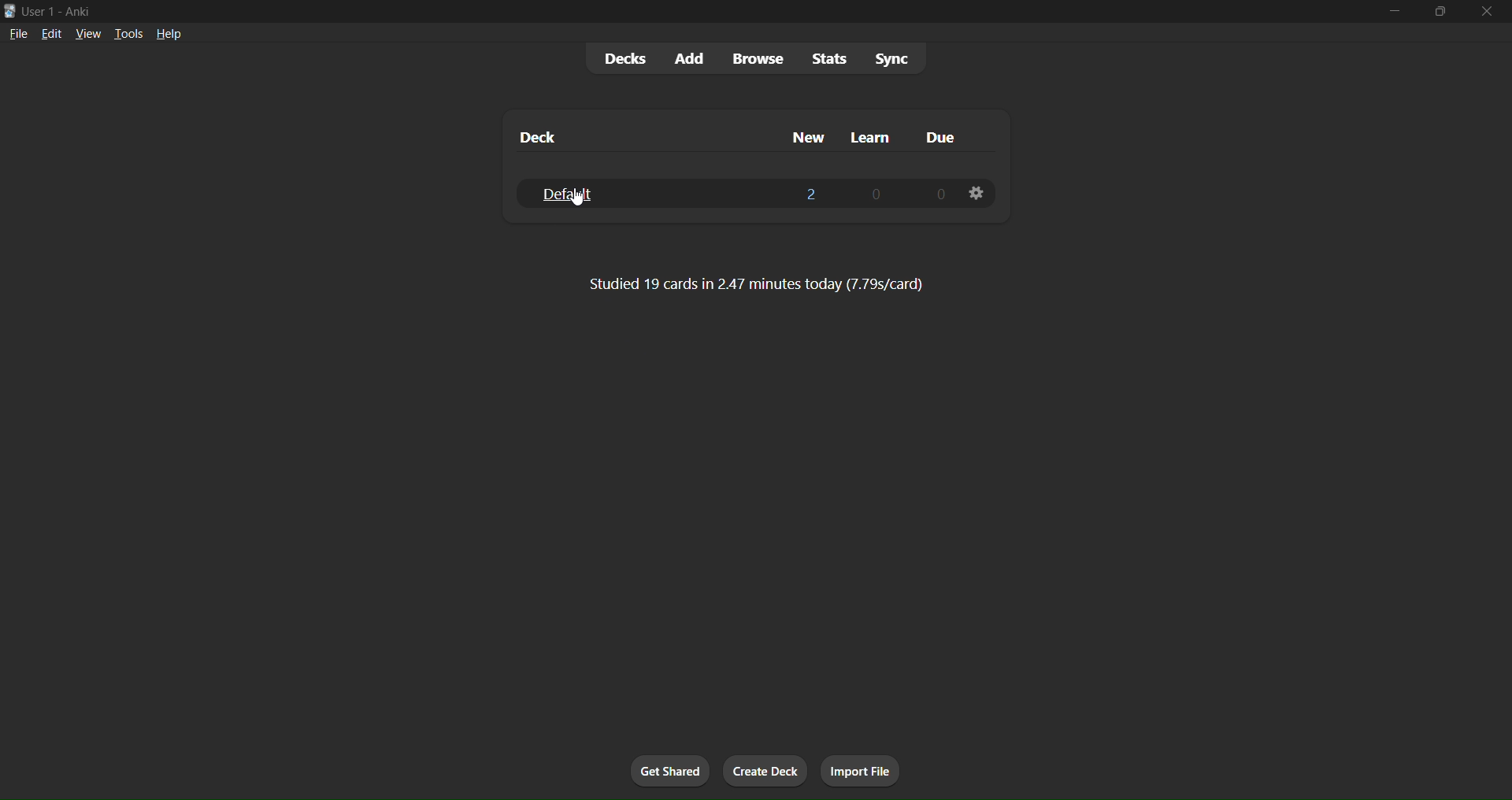 The image size is (1512, 800). I want to click on 2, so click(813, 196).